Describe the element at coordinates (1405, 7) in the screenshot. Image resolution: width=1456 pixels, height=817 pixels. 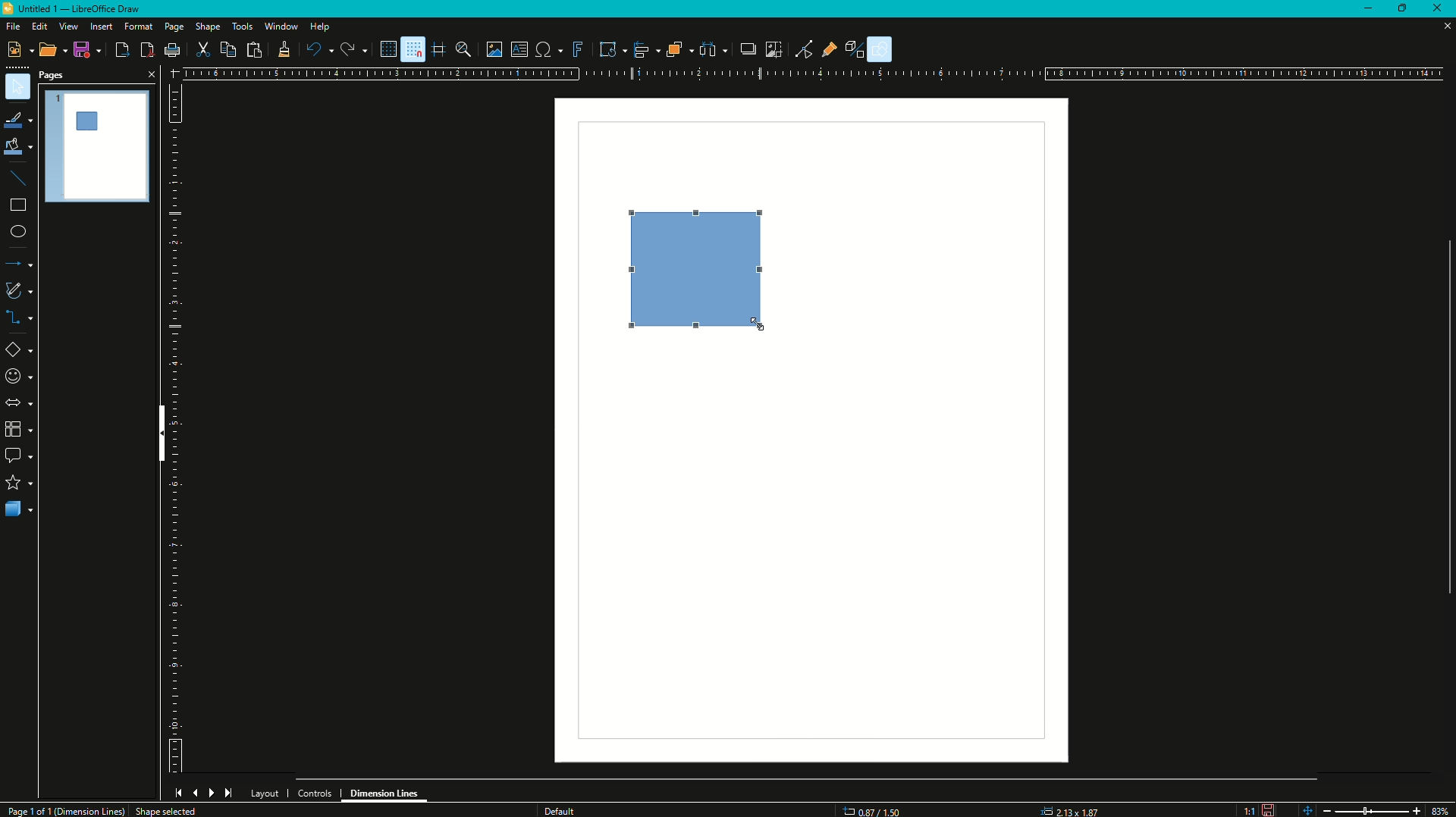
I see `Restore` at that location.